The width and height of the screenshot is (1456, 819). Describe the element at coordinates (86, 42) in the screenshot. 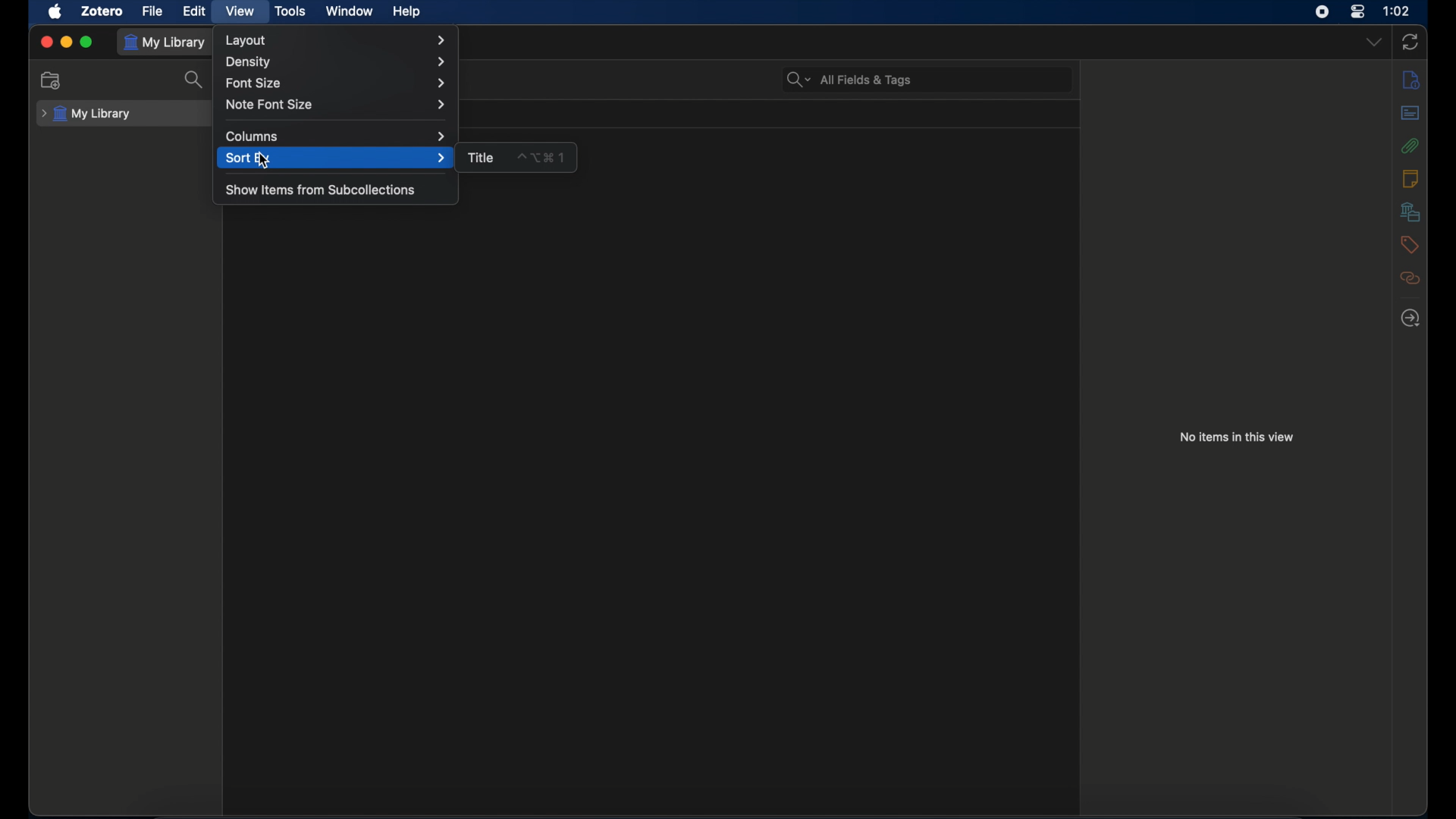

I see `maximize` at that location.